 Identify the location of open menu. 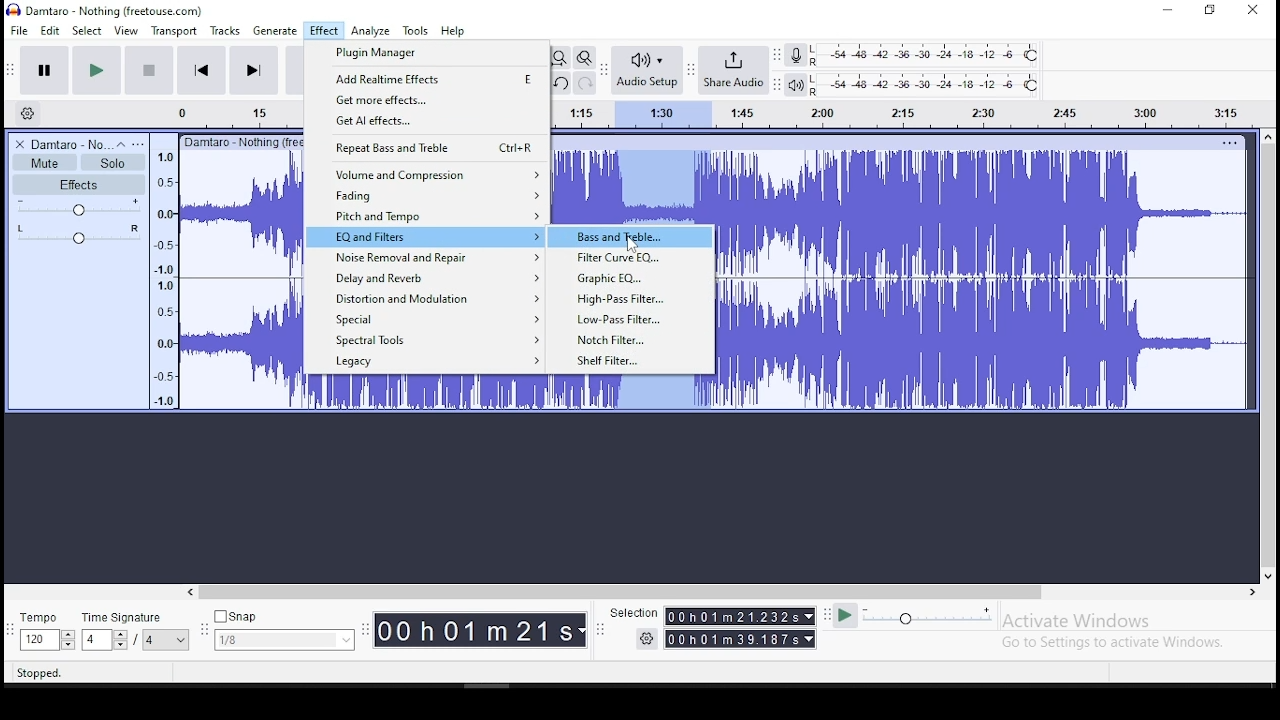
(138, 144).